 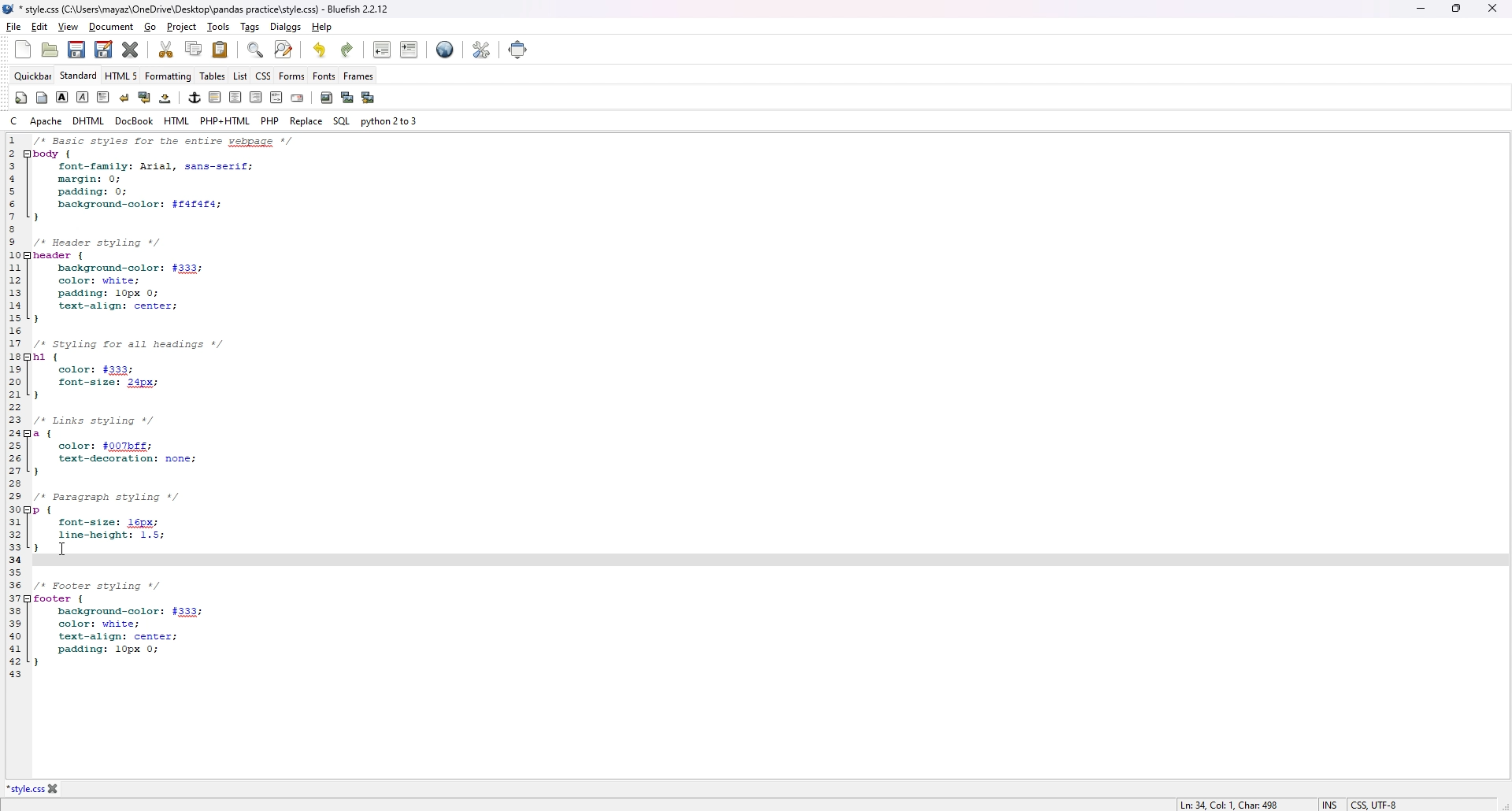 What do you see at coordinates (40, 25) in the screenshot?
I see `edit` at bounding box center [40, 25].